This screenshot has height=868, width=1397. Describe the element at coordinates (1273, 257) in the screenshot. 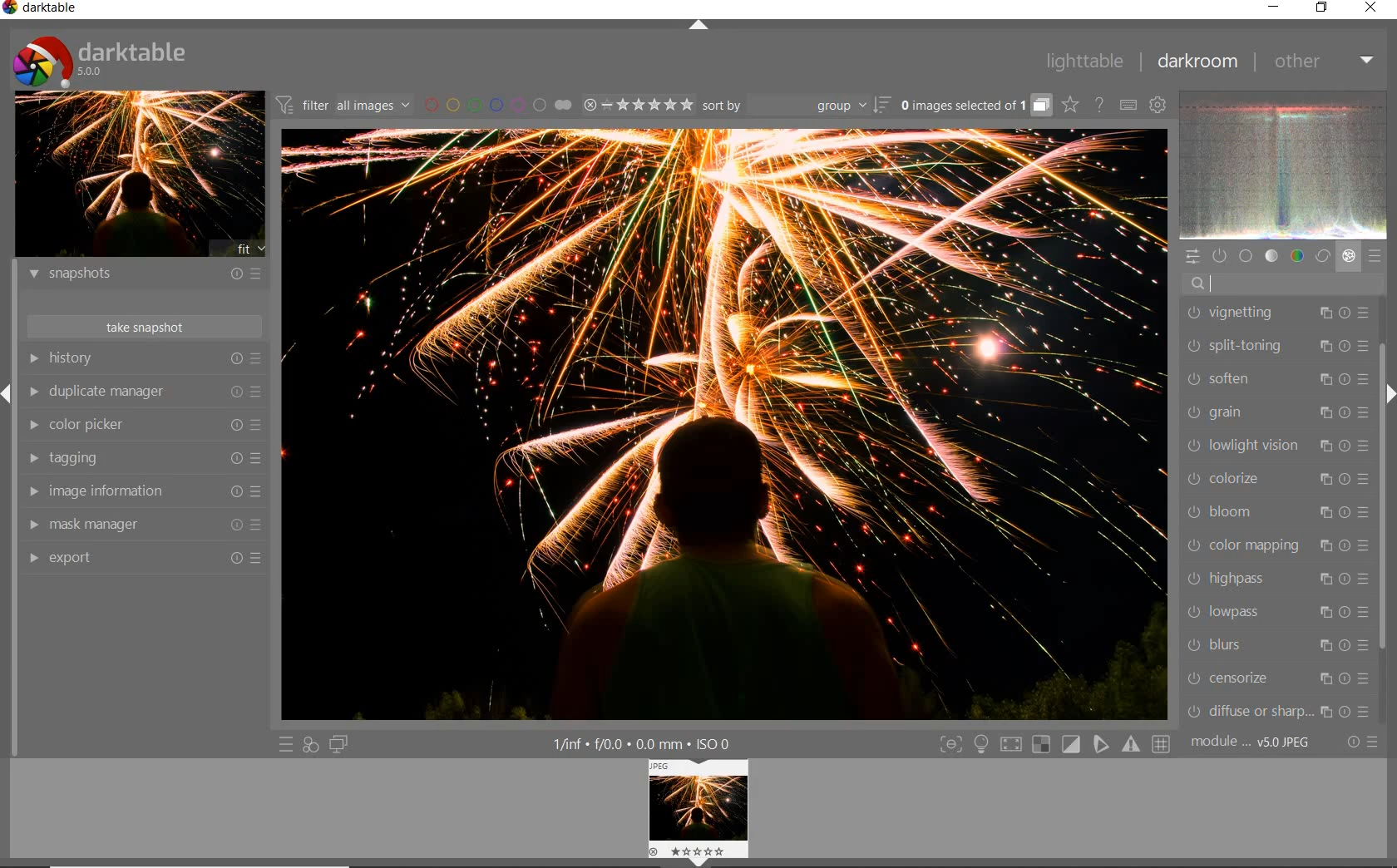

I see `tone` at that location.